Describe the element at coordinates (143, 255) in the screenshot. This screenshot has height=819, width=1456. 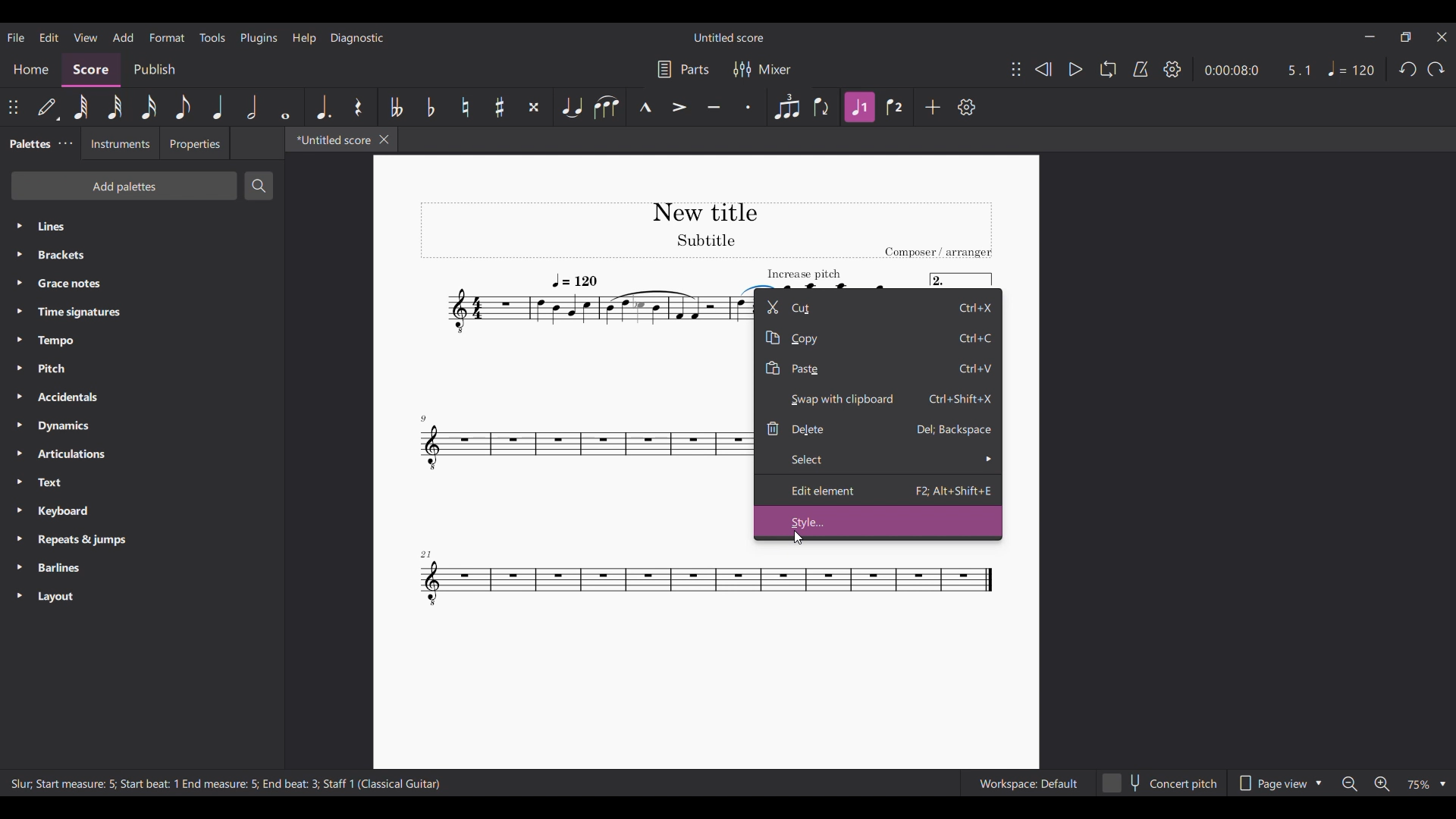
I see `Brackets` at that location.